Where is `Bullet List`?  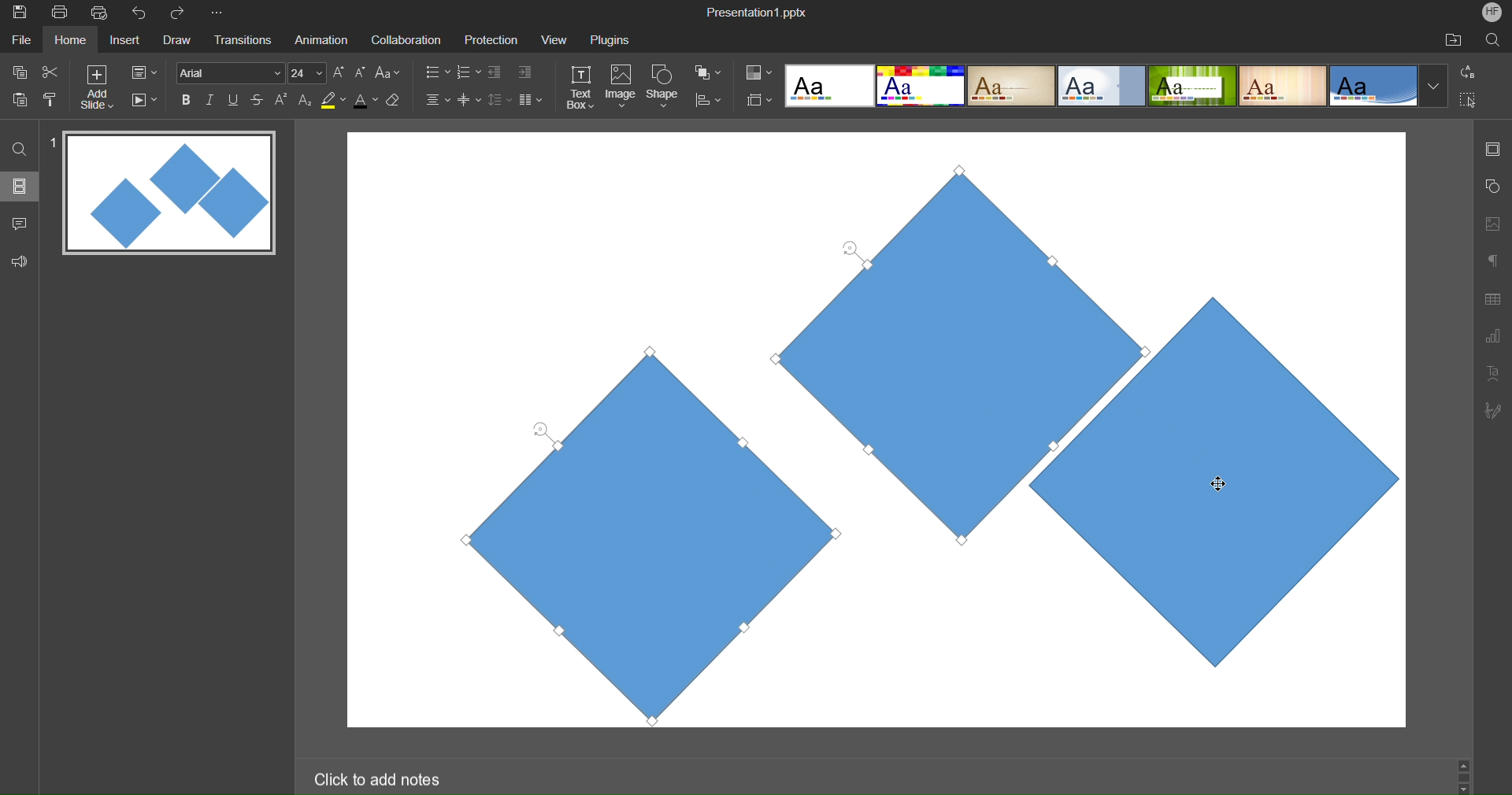 Bullet List is located at coordinates (436, 73).